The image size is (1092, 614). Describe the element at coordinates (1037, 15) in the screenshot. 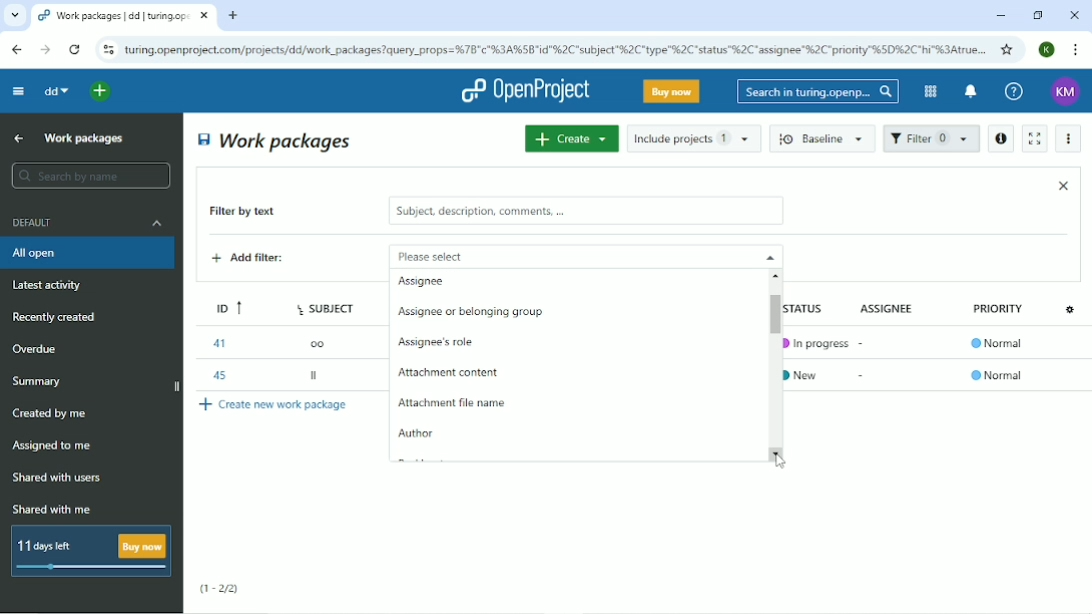

I see `Restore down` at that location.